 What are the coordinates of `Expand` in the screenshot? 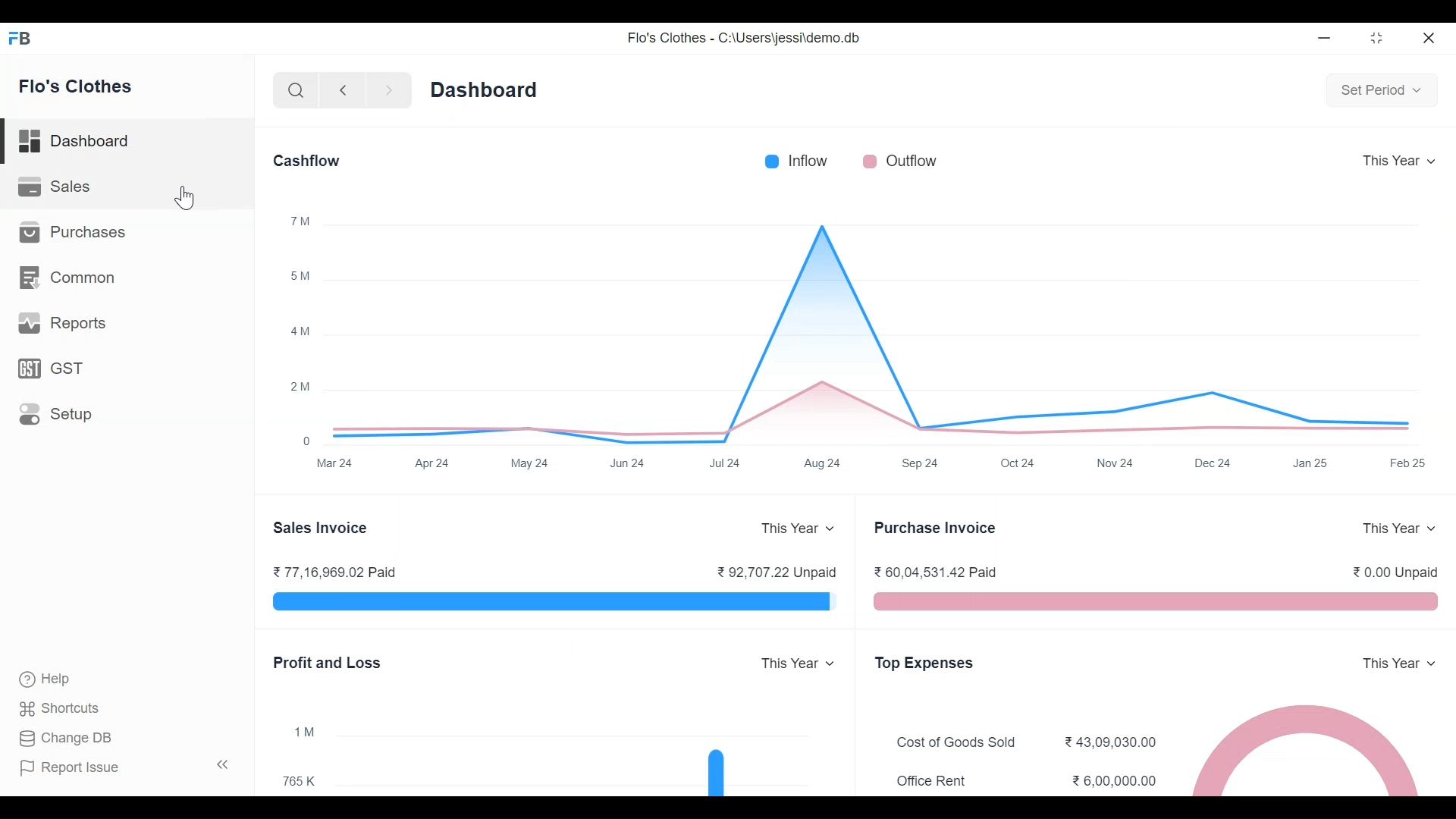 It's located at (1433, 529).